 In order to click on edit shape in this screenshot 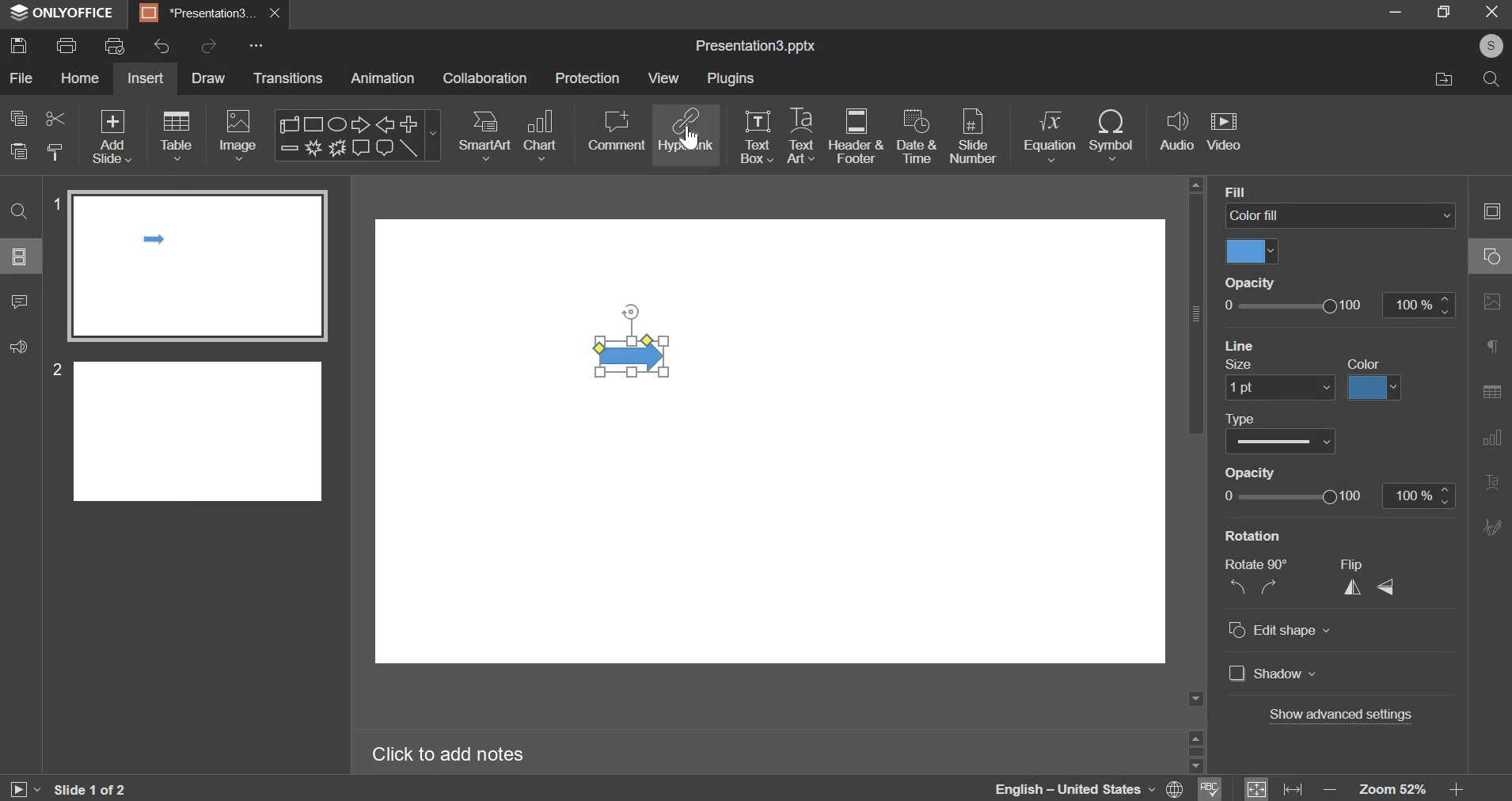, I will do `click(1280, 630)`.